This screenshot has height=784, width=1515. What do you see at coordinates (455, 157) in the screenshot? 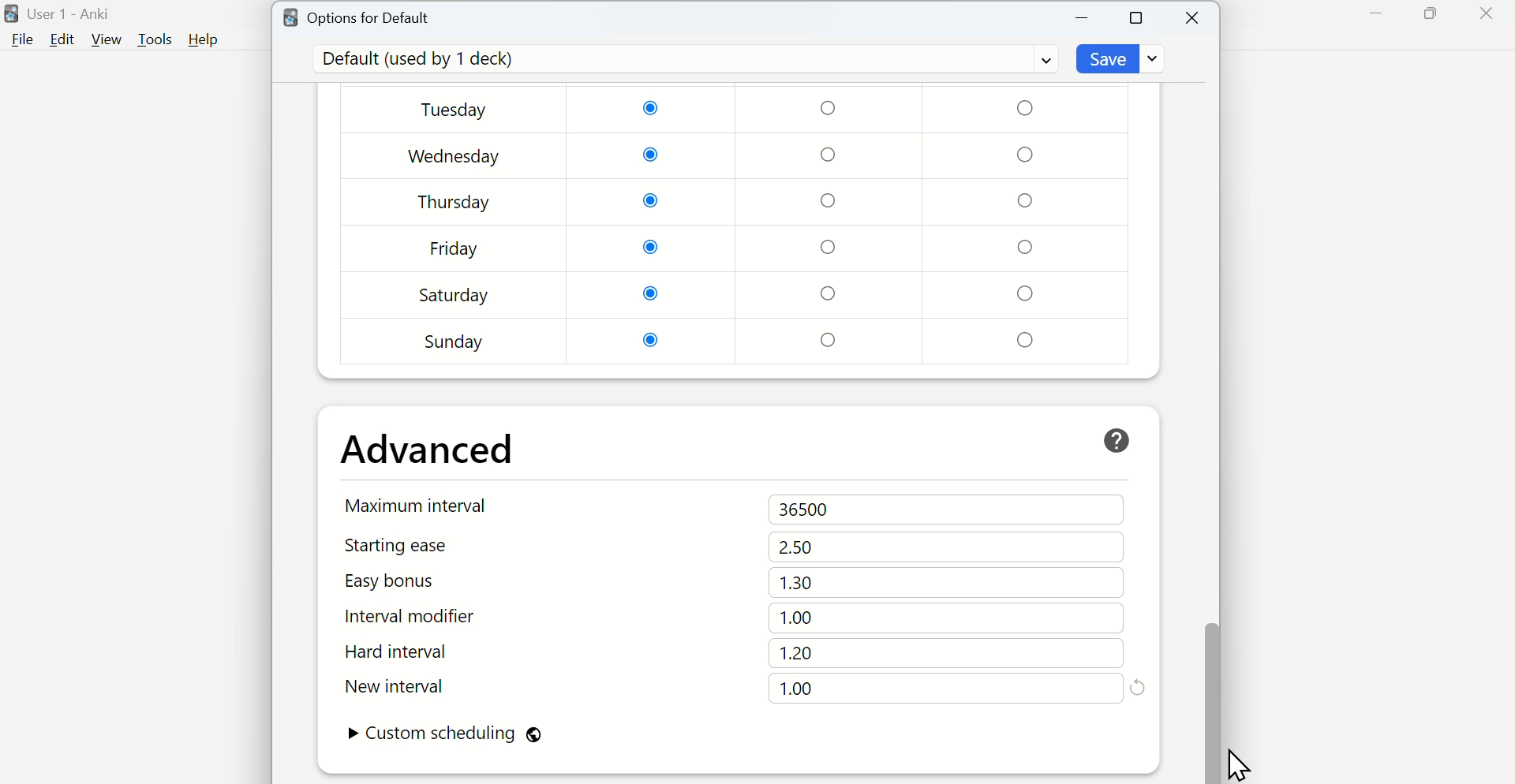
I see `Wednesday` at bounding box center [455, 157].